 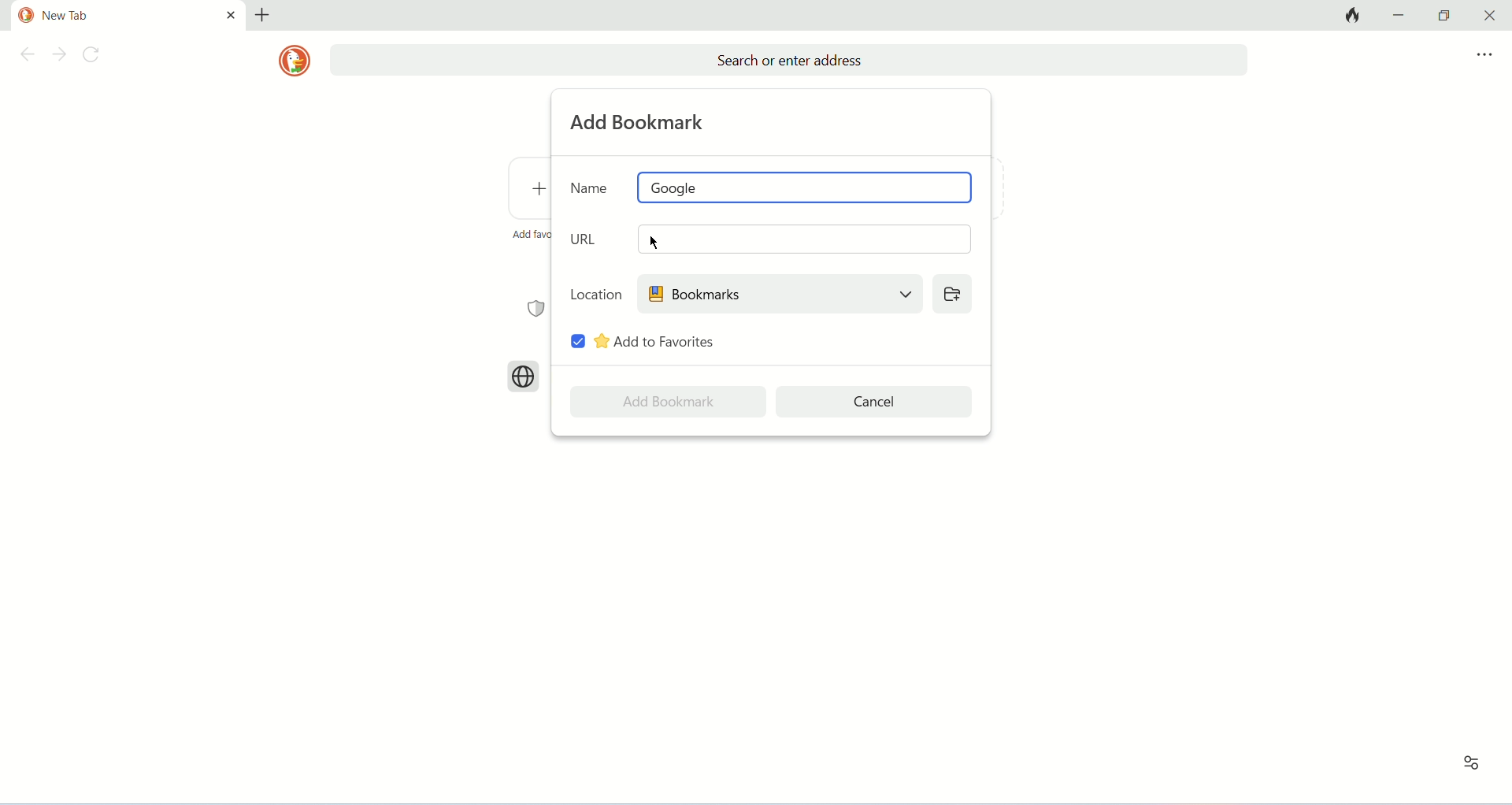 I want to click on add to favorites, so click(x=656, y=341).